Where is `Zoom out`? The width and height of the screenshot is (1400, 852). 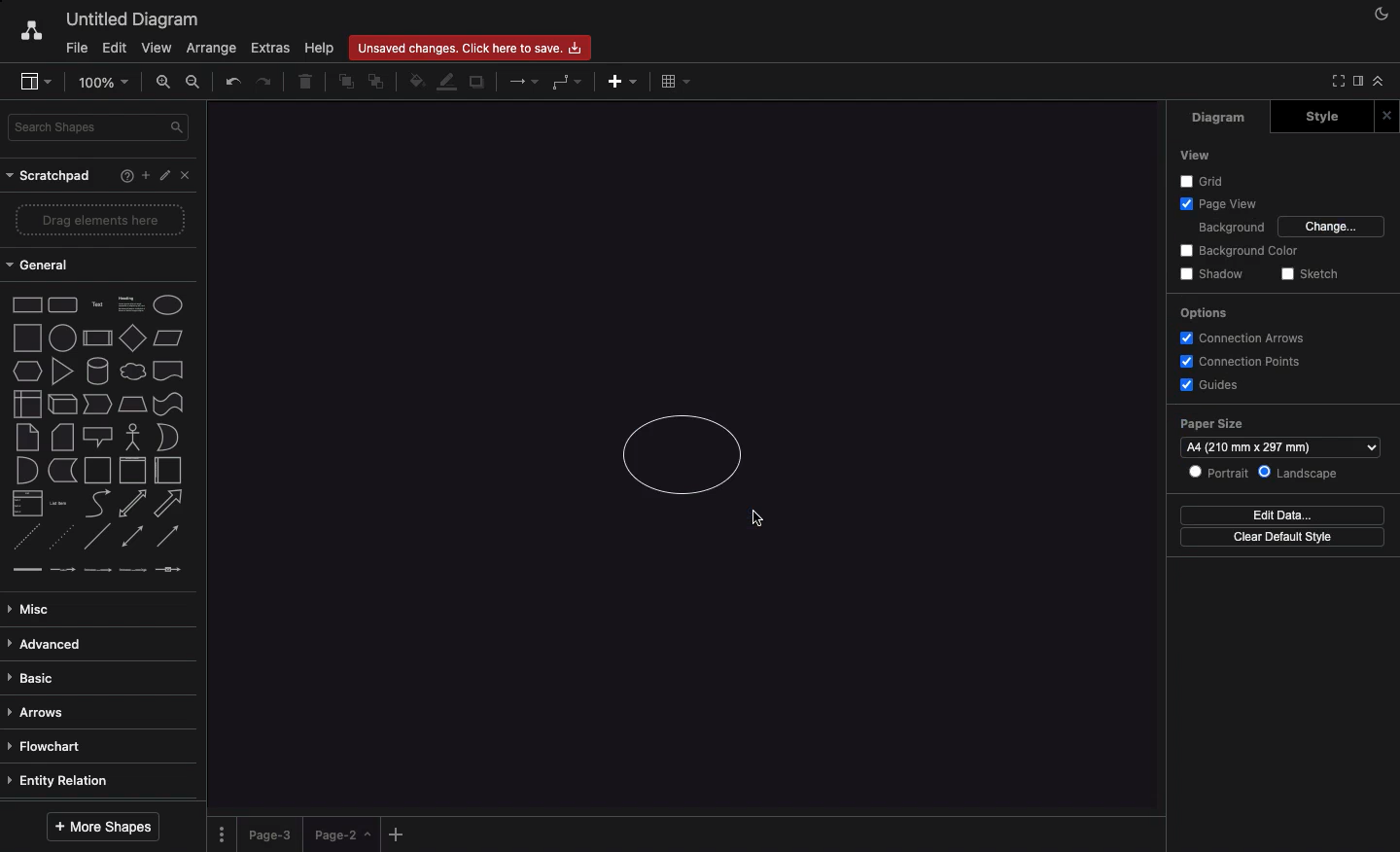
Zoom out is located at coordinates (197, 84).